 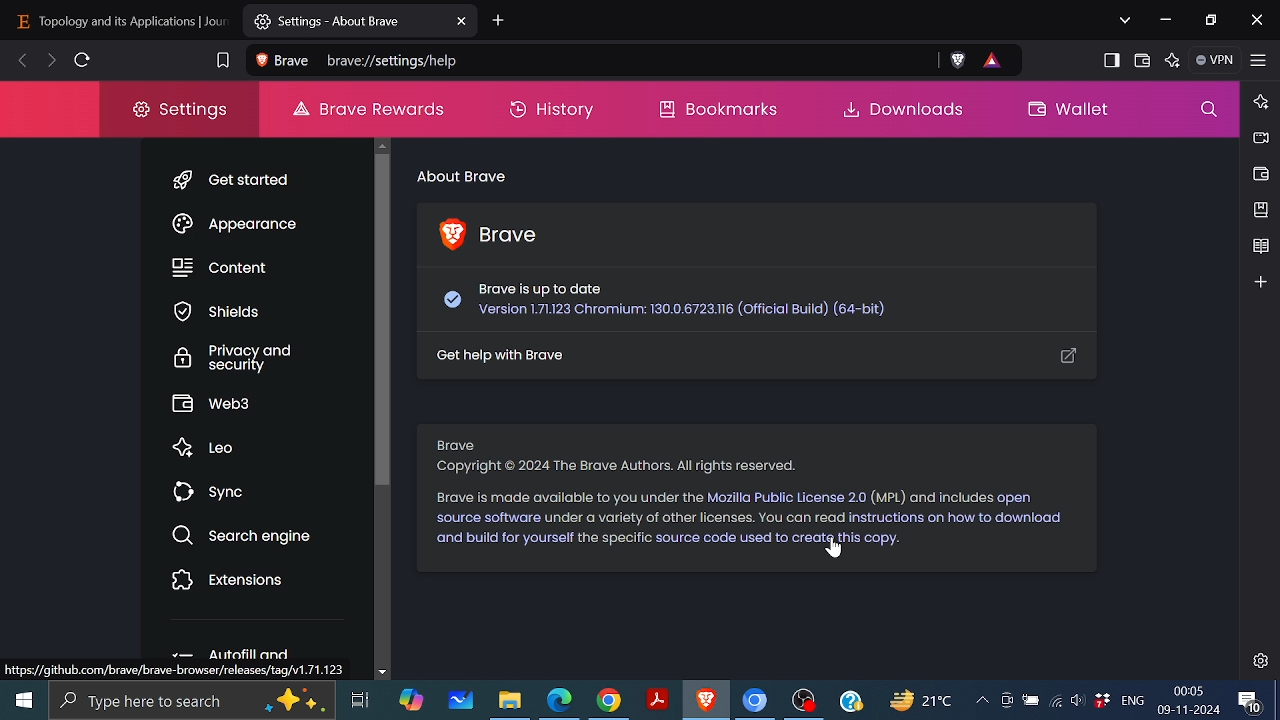 I want to click on Brave rewards, so click(x=368, y=110).